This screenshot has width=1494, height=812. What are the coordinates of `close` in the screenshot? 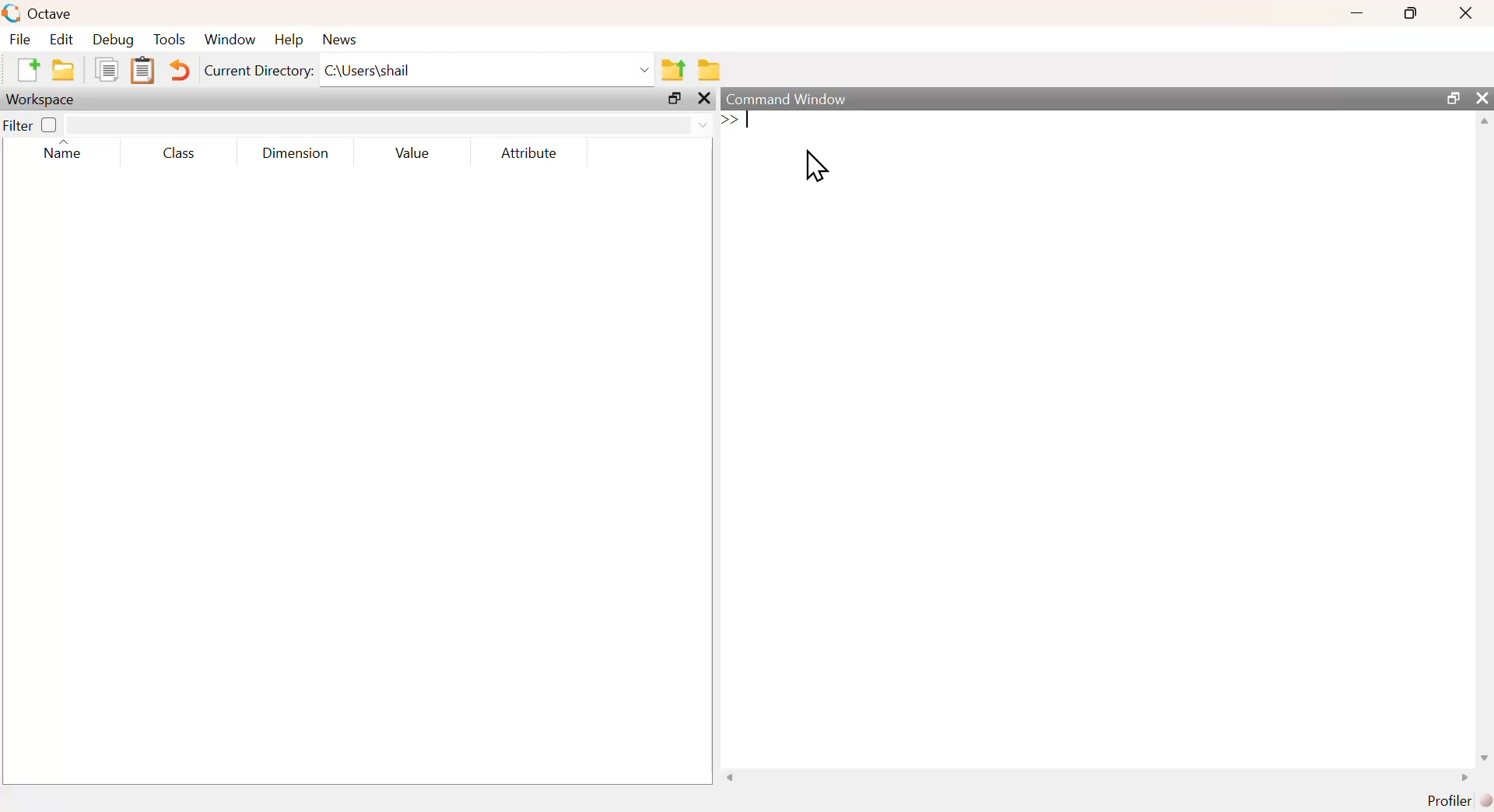 It's located at (704, 100).